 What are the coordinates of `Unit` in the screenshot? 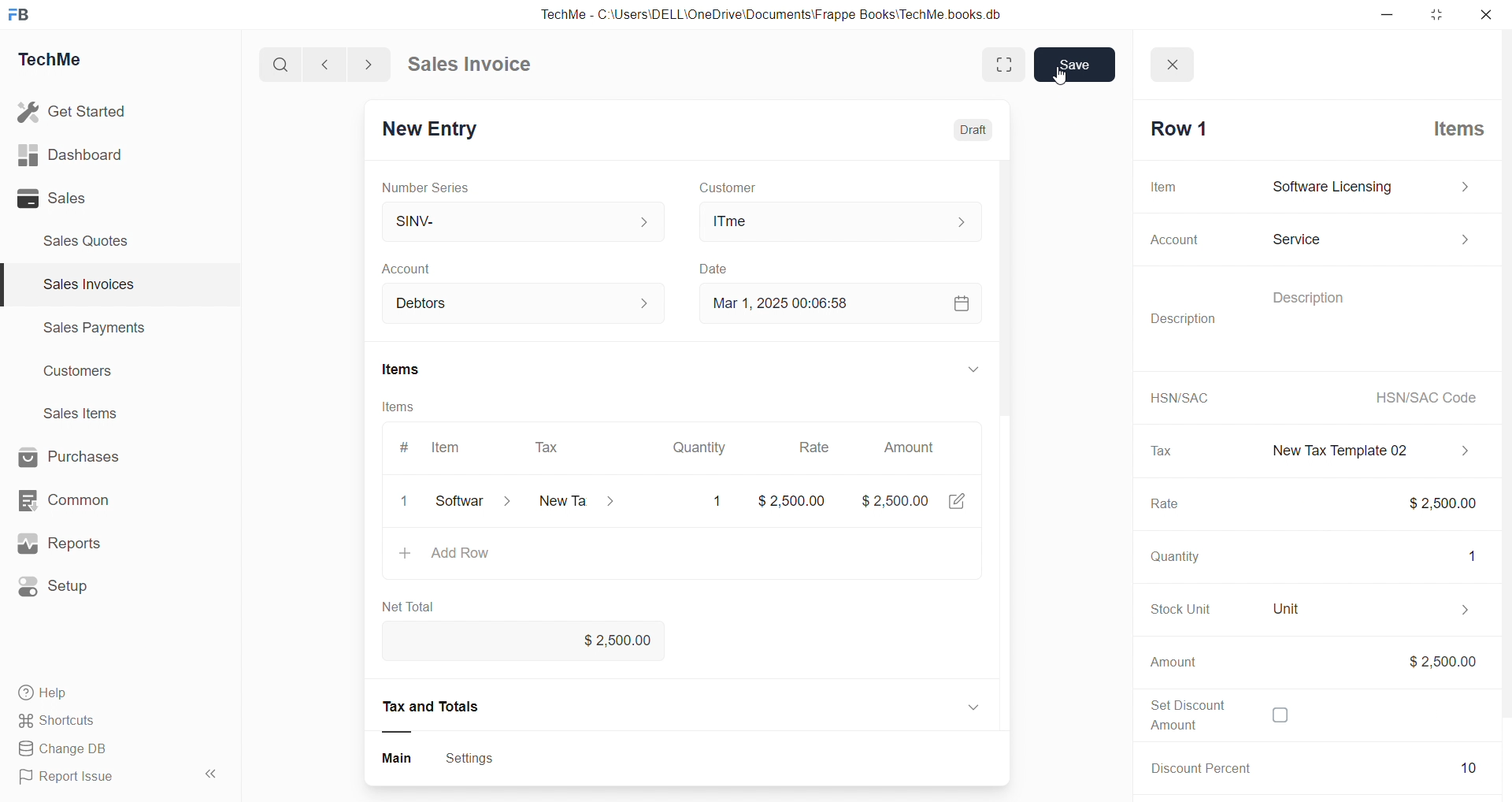 It's located at (1362, 609).